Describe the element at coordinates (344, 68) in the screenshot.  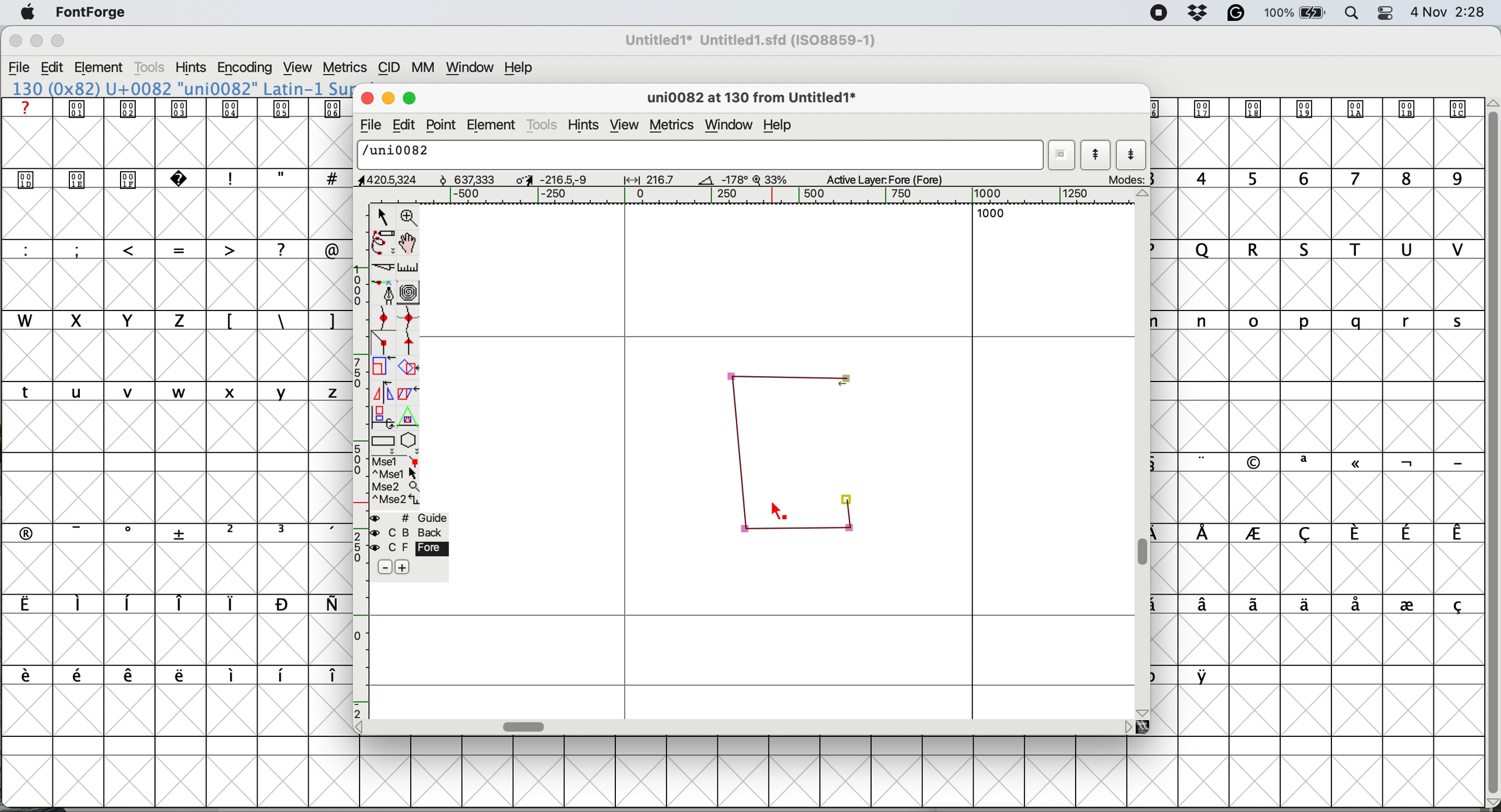
I see `metrics` at that location.